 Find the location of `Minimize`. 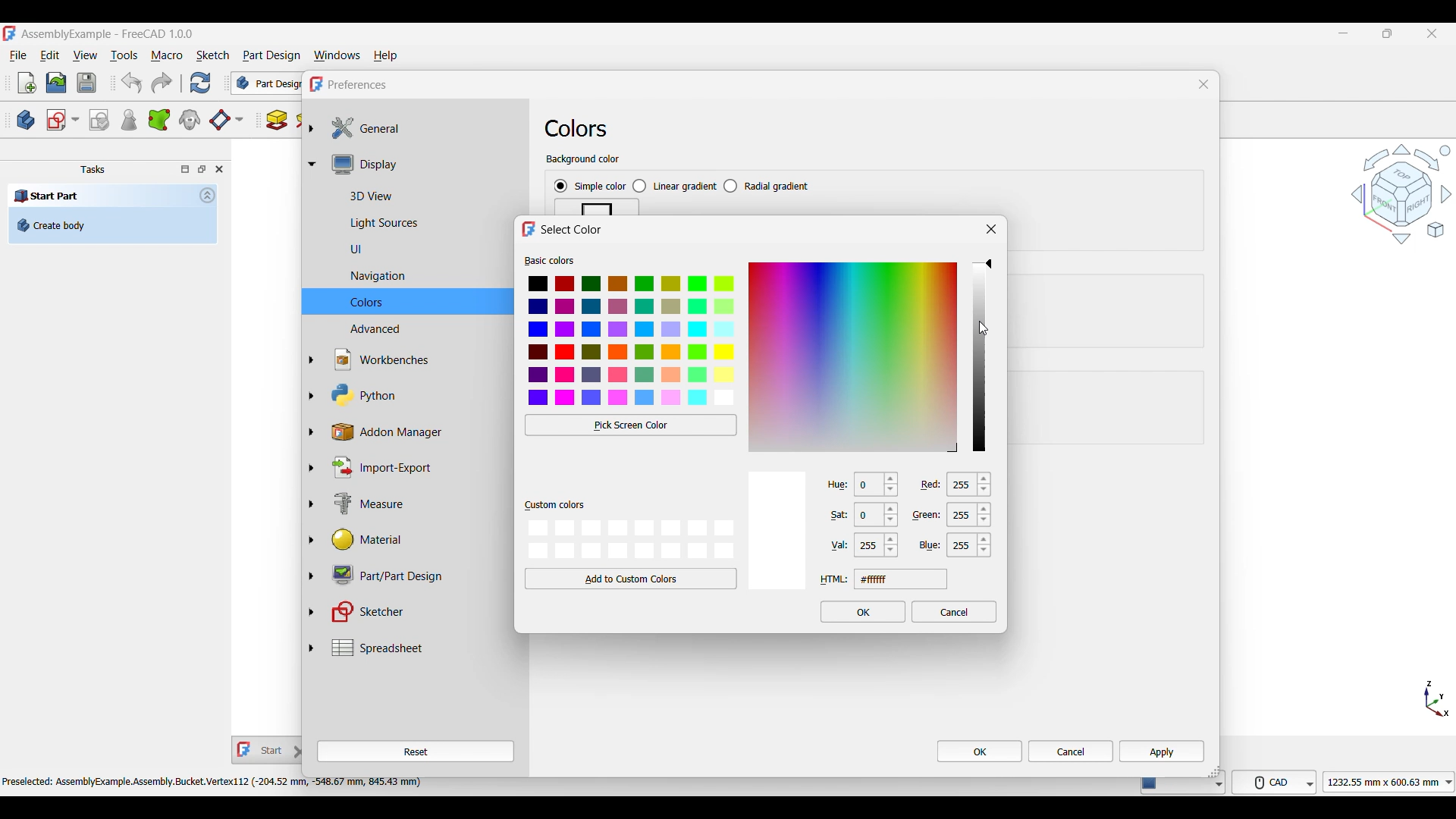

Minimize is located at coordinates (1343, 33).